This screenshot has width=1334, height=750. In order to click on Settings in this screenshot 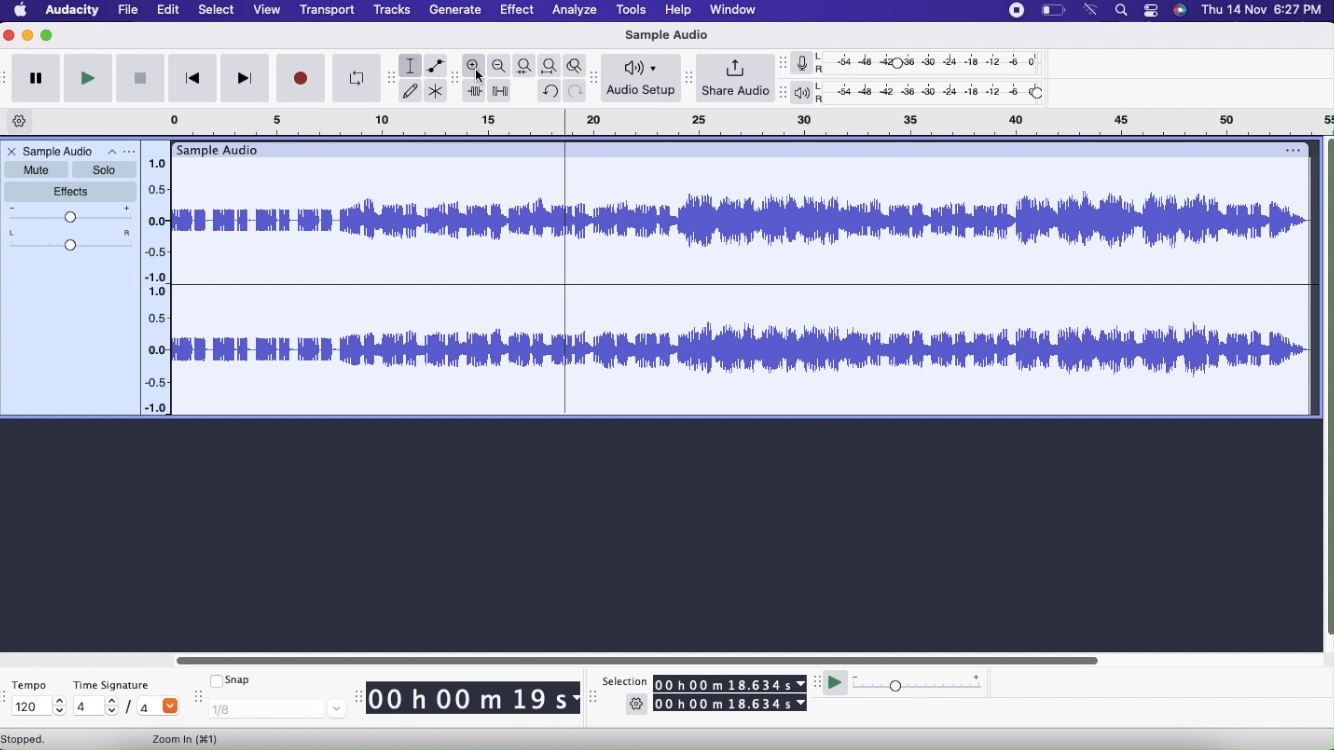, I will do `click(637, 704)`.